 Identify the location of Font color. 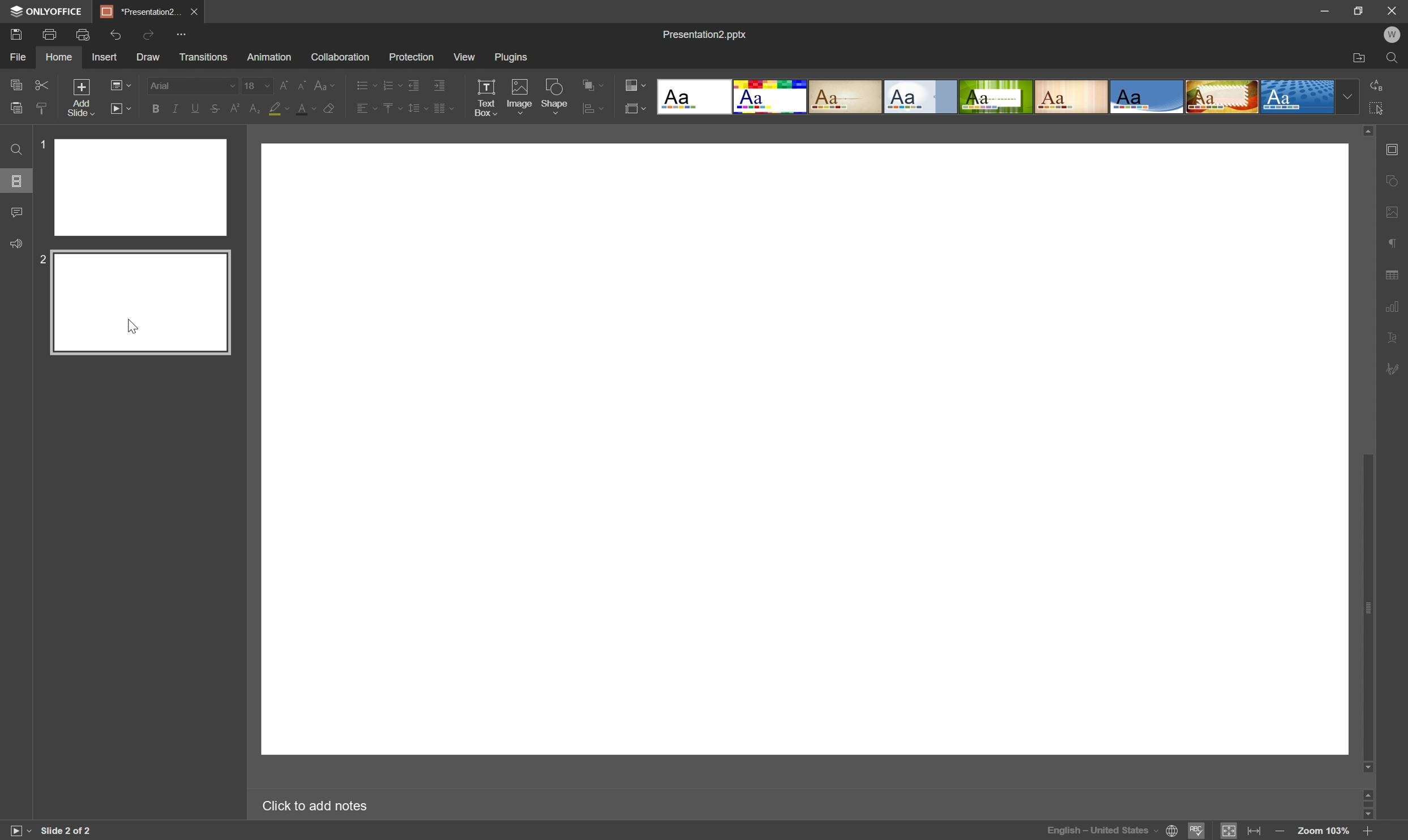
(303, 106).